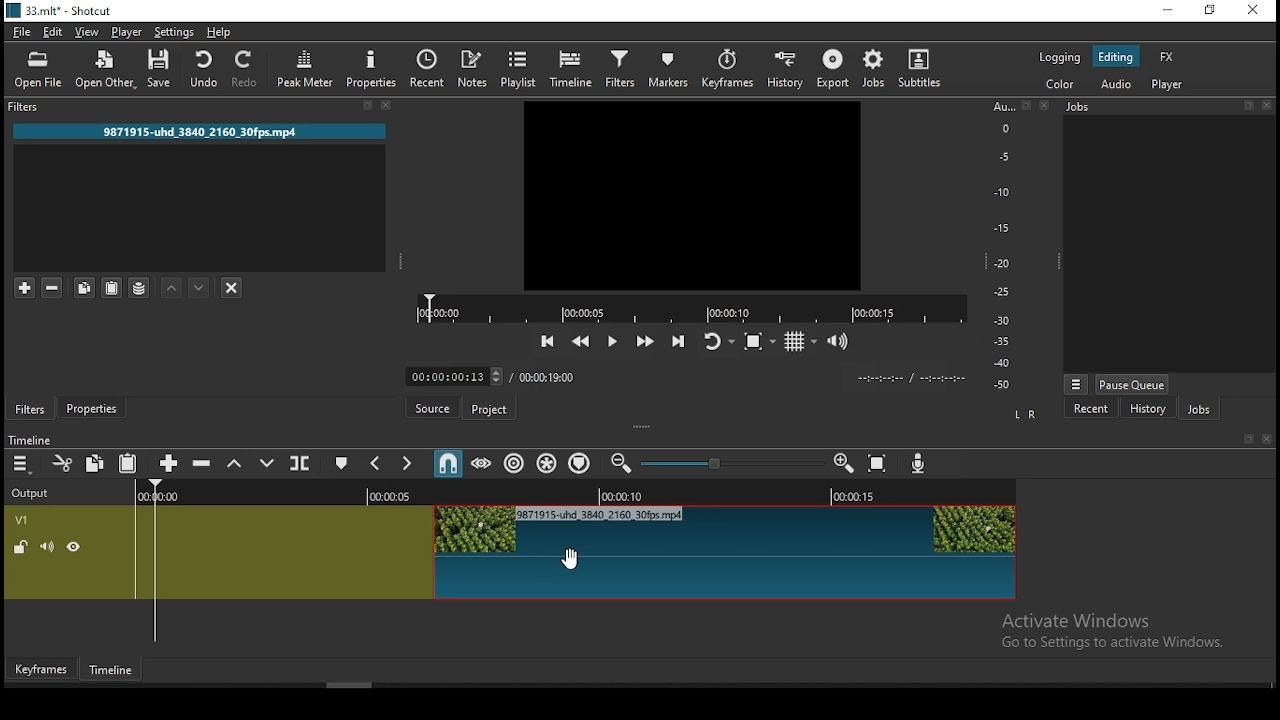 Image resolution: width=1280 pixels, height=720 pixels. What do you see at coordinates (39, 495) in the screenshot?
I see `output` at bounding box center [39, 495].